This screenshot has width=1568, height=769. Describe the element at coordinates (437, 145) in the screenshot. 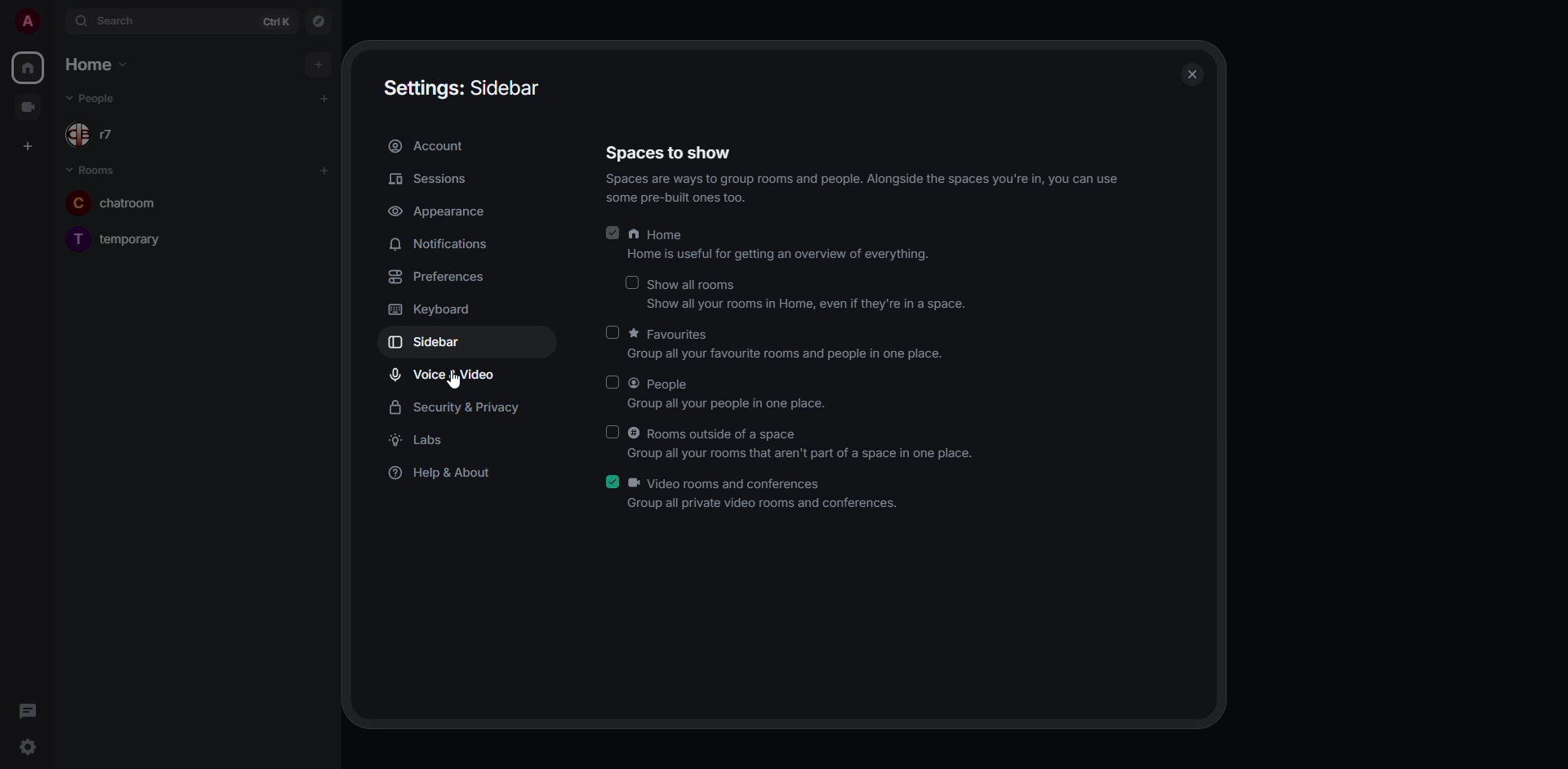

I see `account` at that location.